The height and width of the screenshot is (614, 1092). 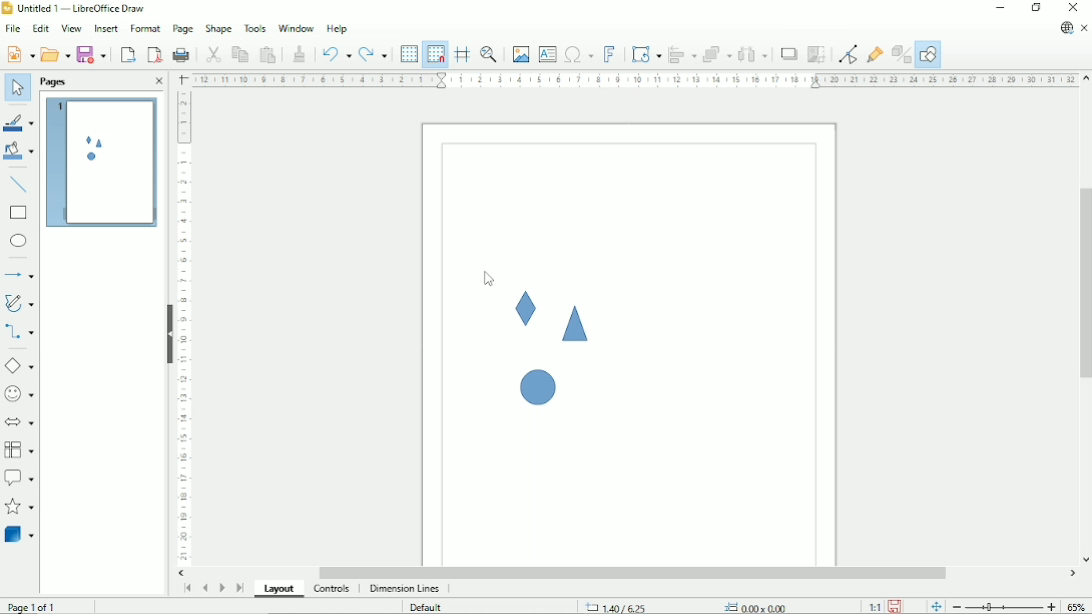 I want to click on Scroll to previous page, so click(x=204, y=589).